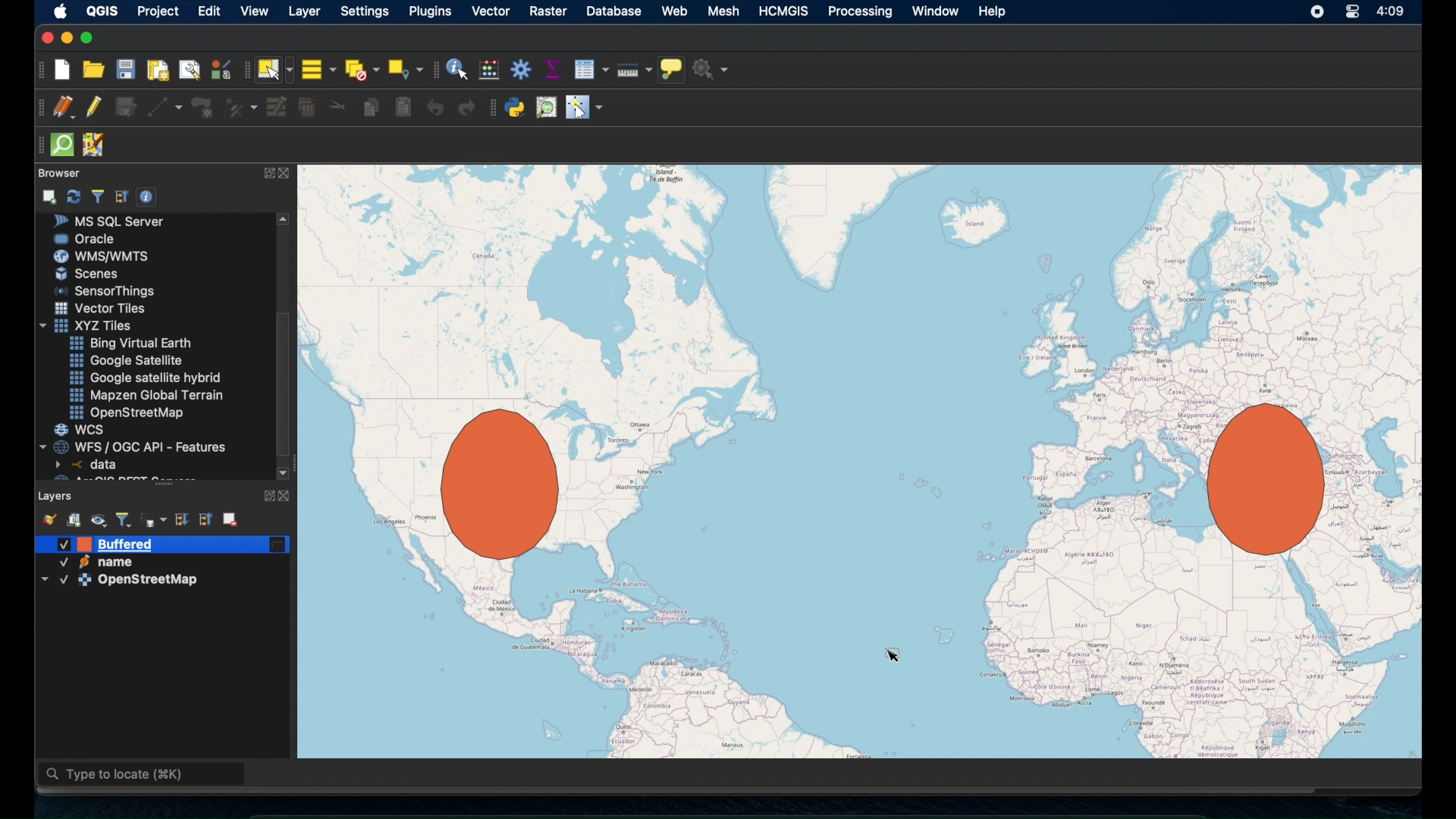 This screenshot has height=819, width=1456. What do you see at coordinates (127, 108) in the screenshot?
I see `save edits` at bounding box center [127, 108].